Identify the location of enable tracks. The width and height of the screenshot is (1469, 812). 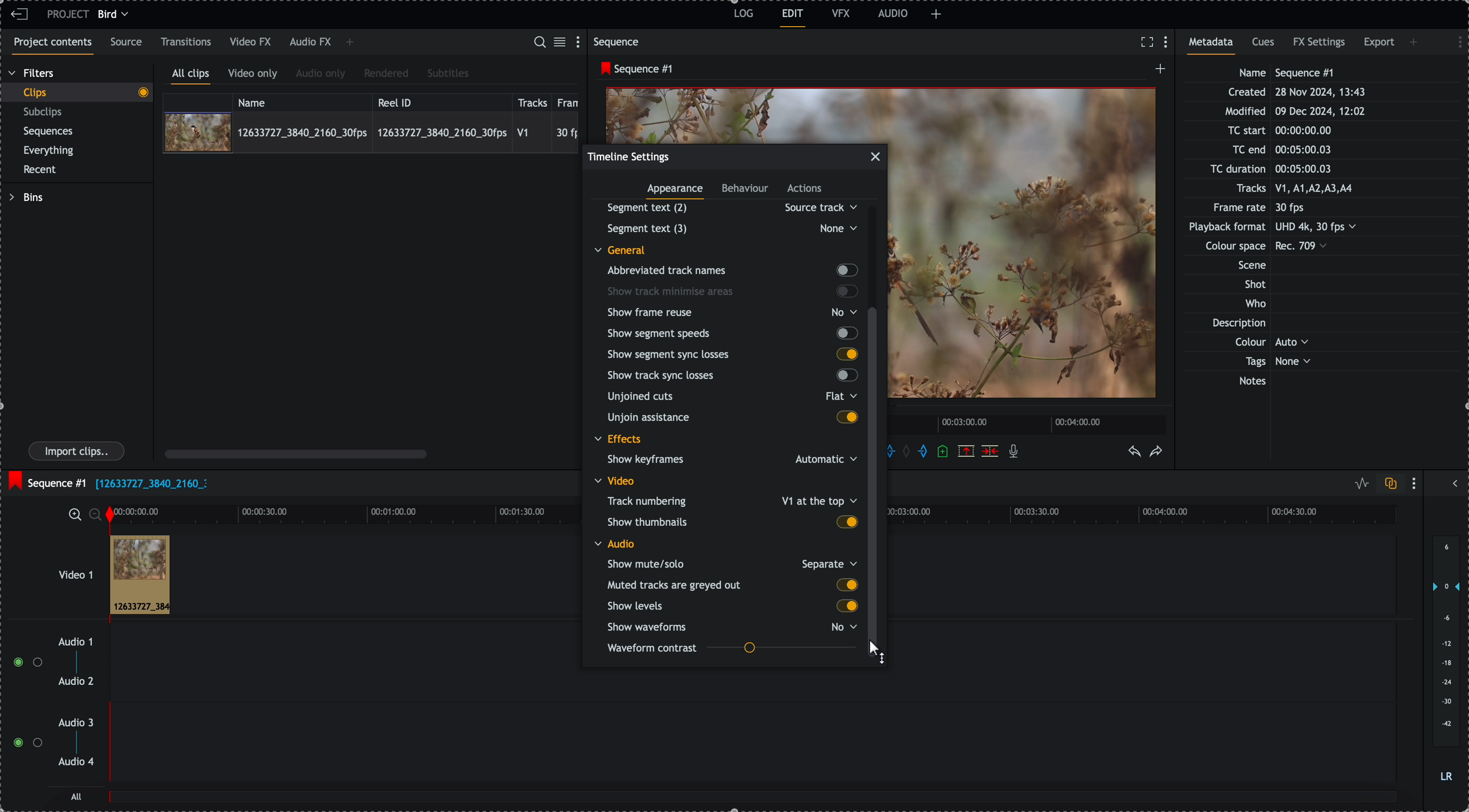
(23, 703).